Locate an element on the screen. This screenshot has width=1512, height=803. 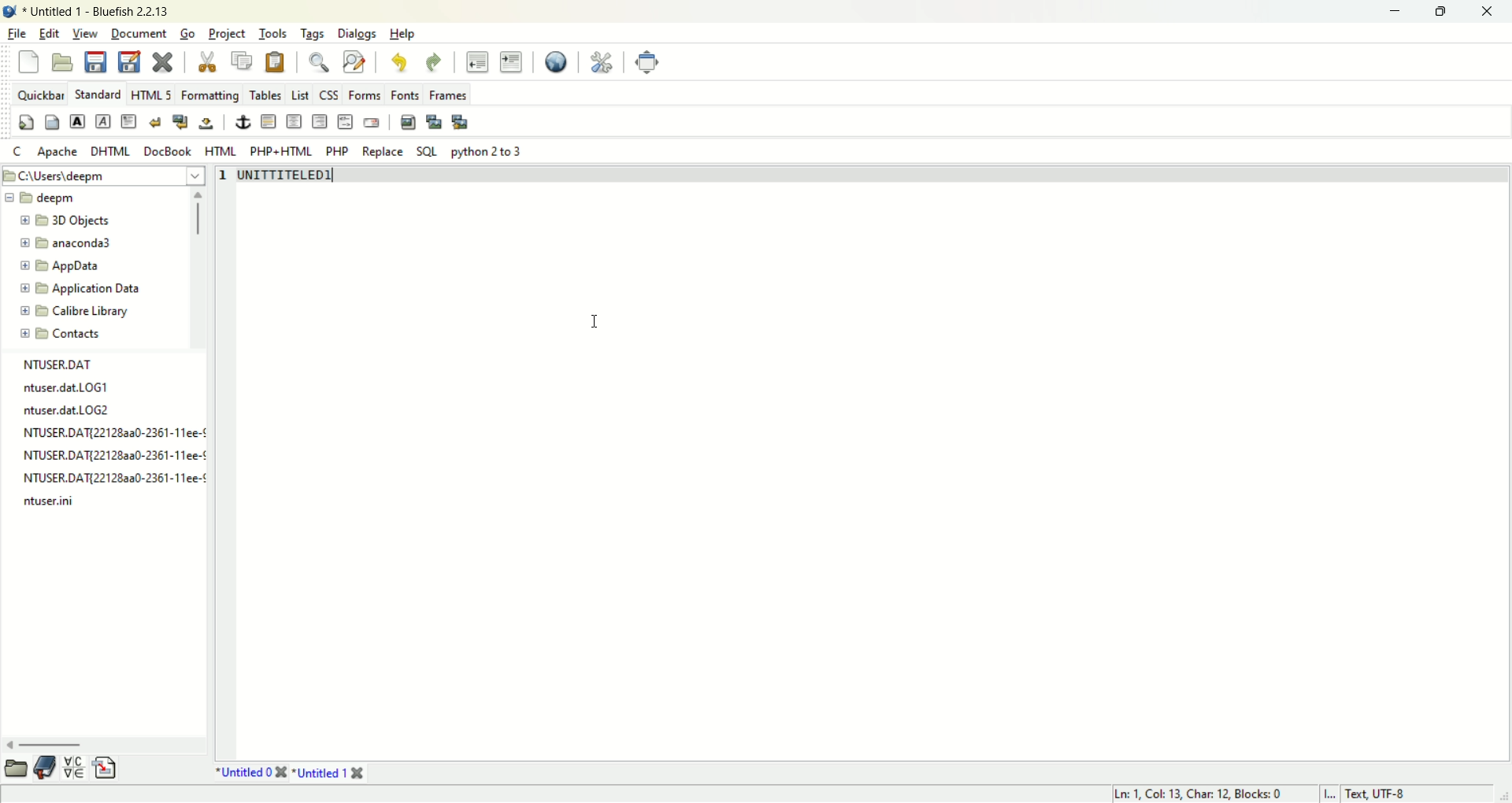
file is located at coordinates (17, 34).